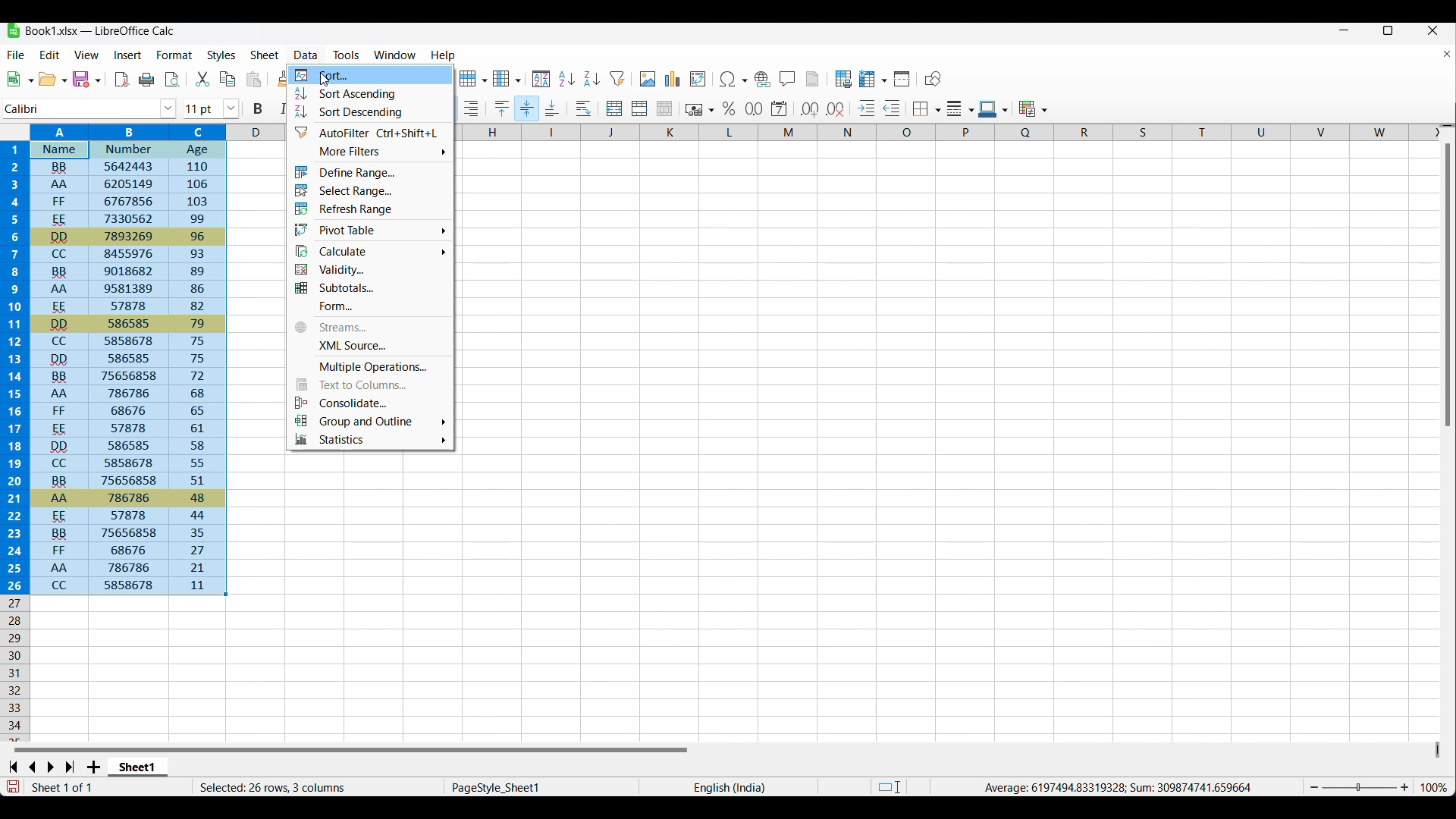 This screenshot has width=1456, height=819. I want to click on Input font size, so click(202, 108).